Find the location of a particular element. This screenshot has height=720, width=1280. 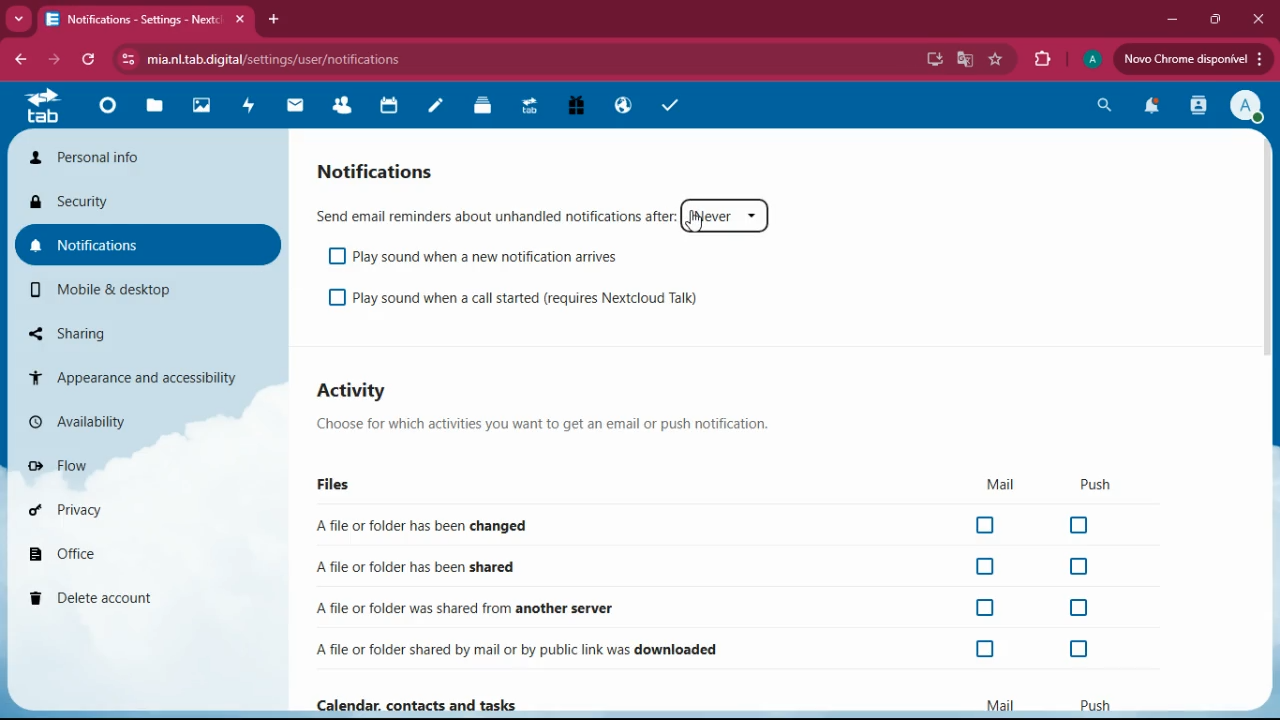

send email is located at coordinates (491, 213).